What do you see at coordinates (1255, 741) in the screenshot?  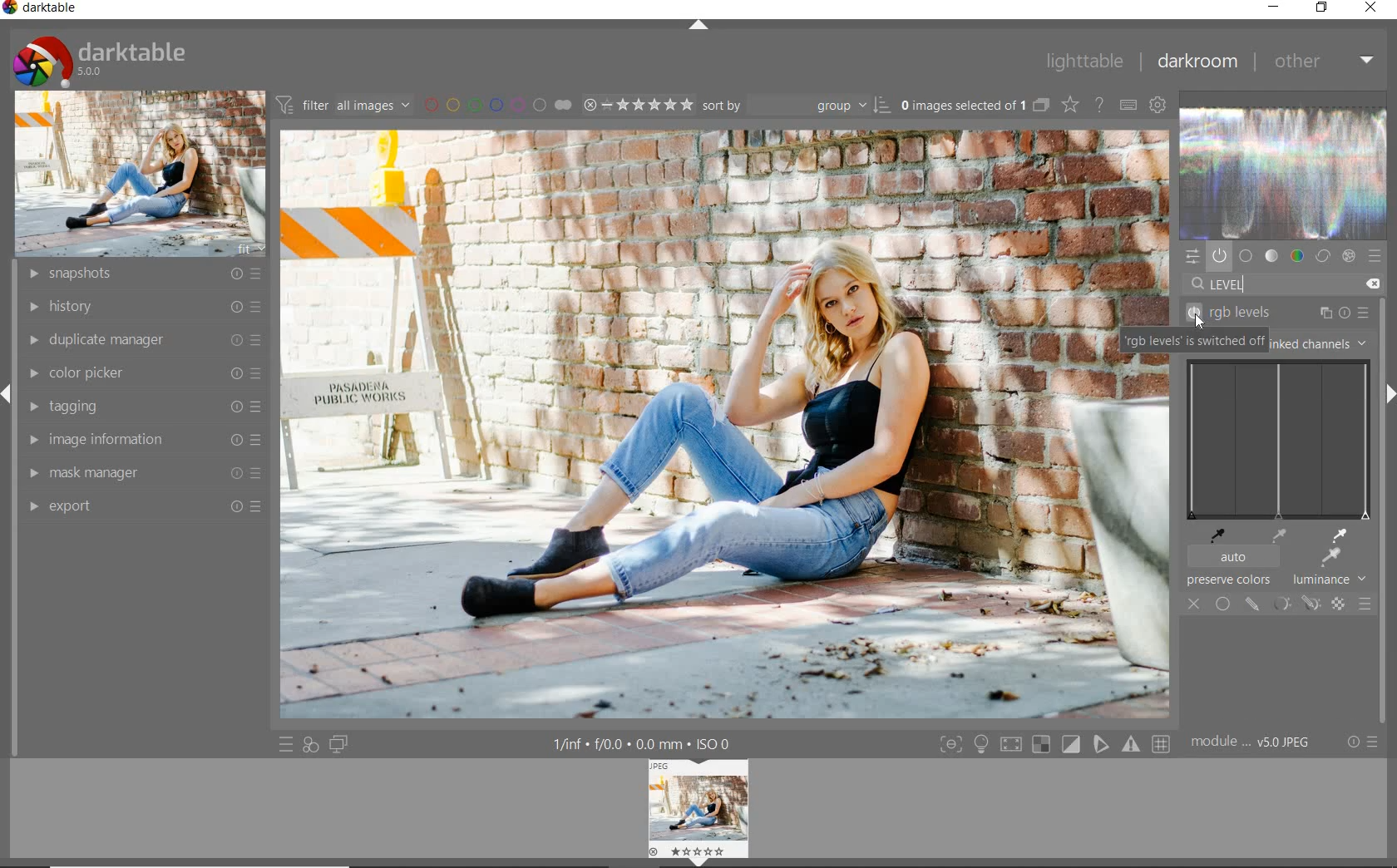 I see `module order` at bounding box center [1255, 741].